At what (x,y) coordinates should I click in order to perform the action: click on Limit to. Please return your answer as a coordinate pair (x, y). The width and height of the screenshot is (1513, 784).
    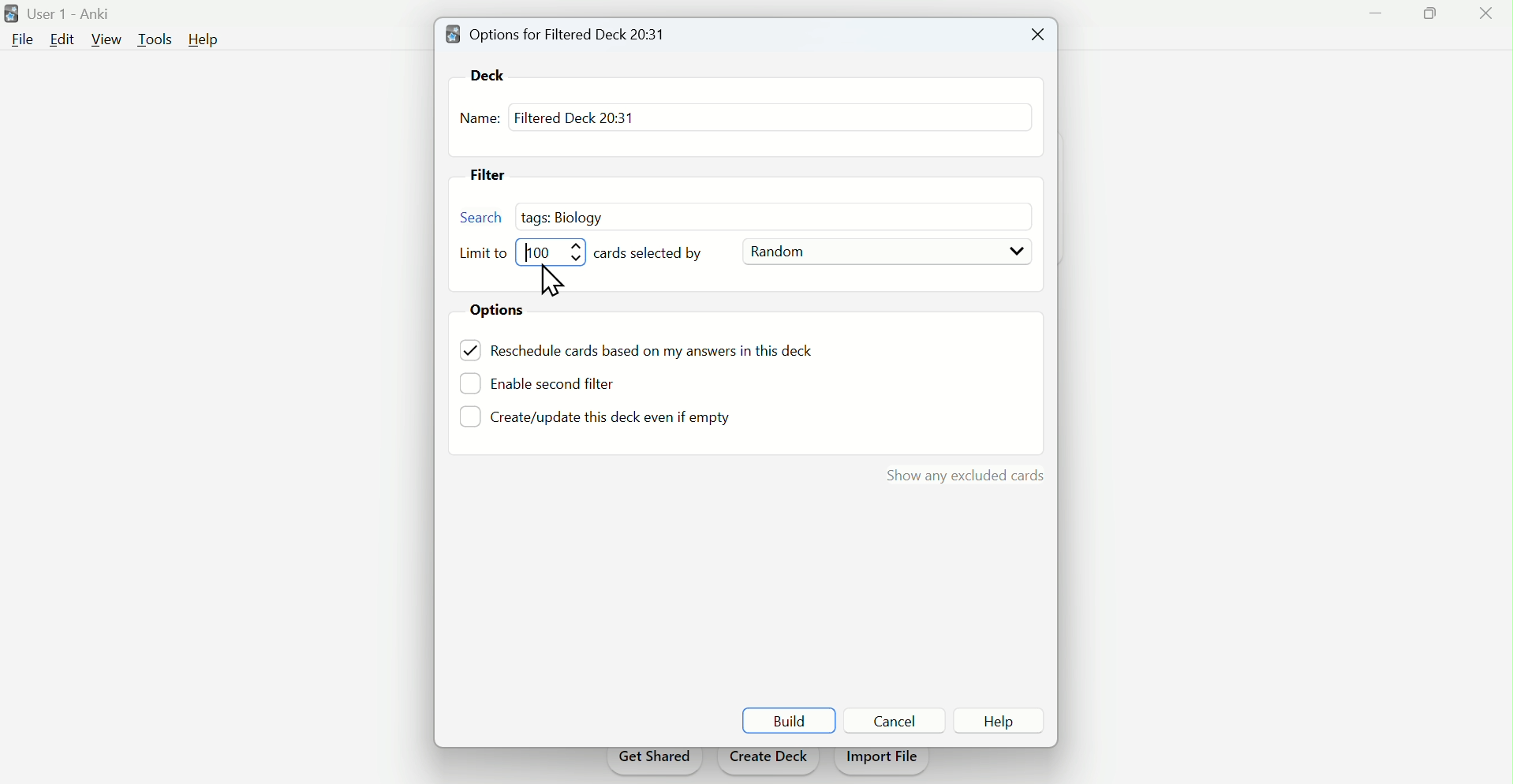
    Looking at the image, I should click on (486, 254).